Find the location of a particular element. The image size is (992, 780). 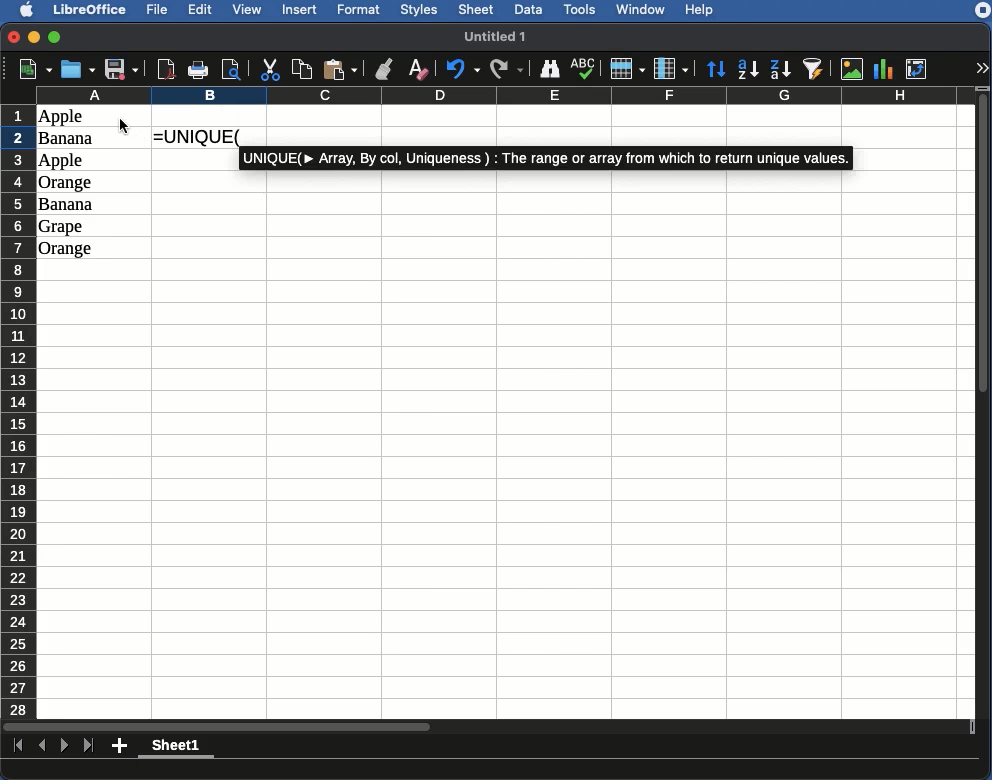

Next sheet is located at coordinates (65, 748).